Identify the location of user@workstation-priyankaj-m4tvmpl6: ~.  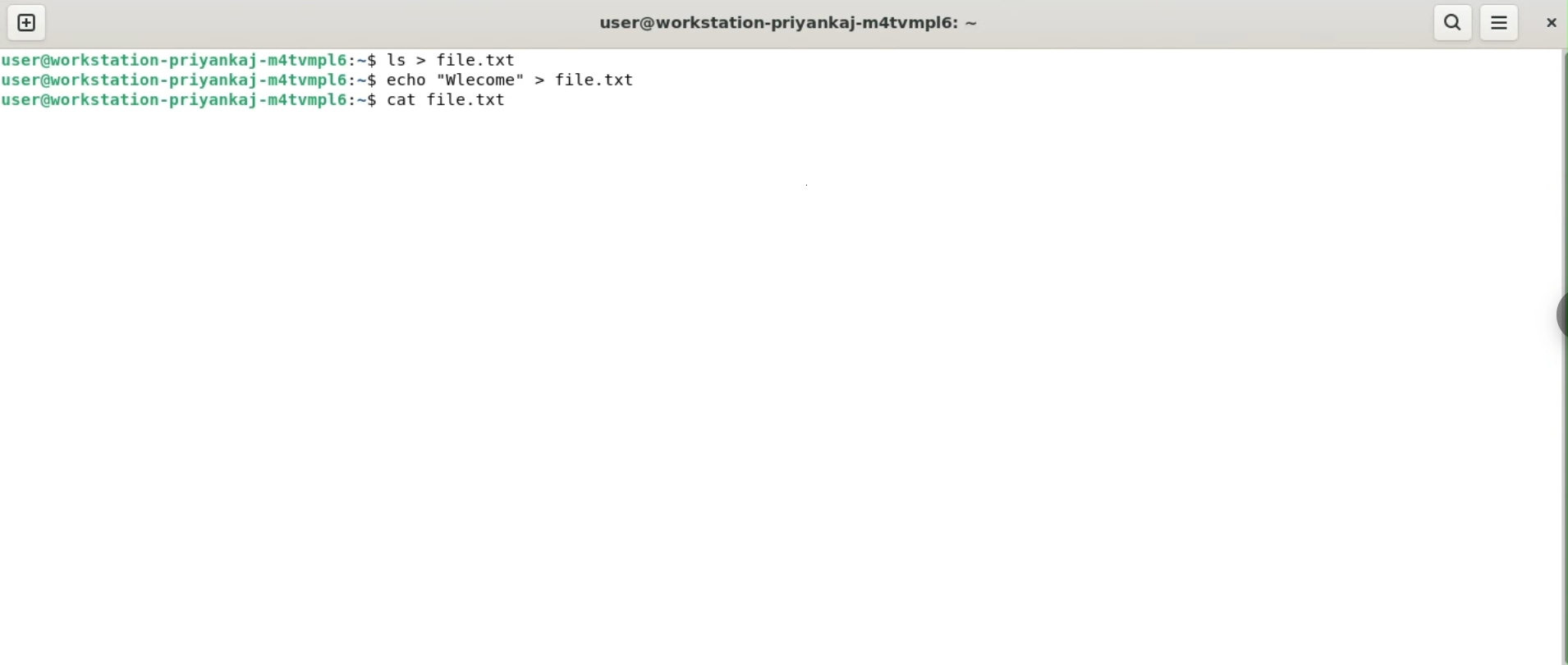
(797, 23).